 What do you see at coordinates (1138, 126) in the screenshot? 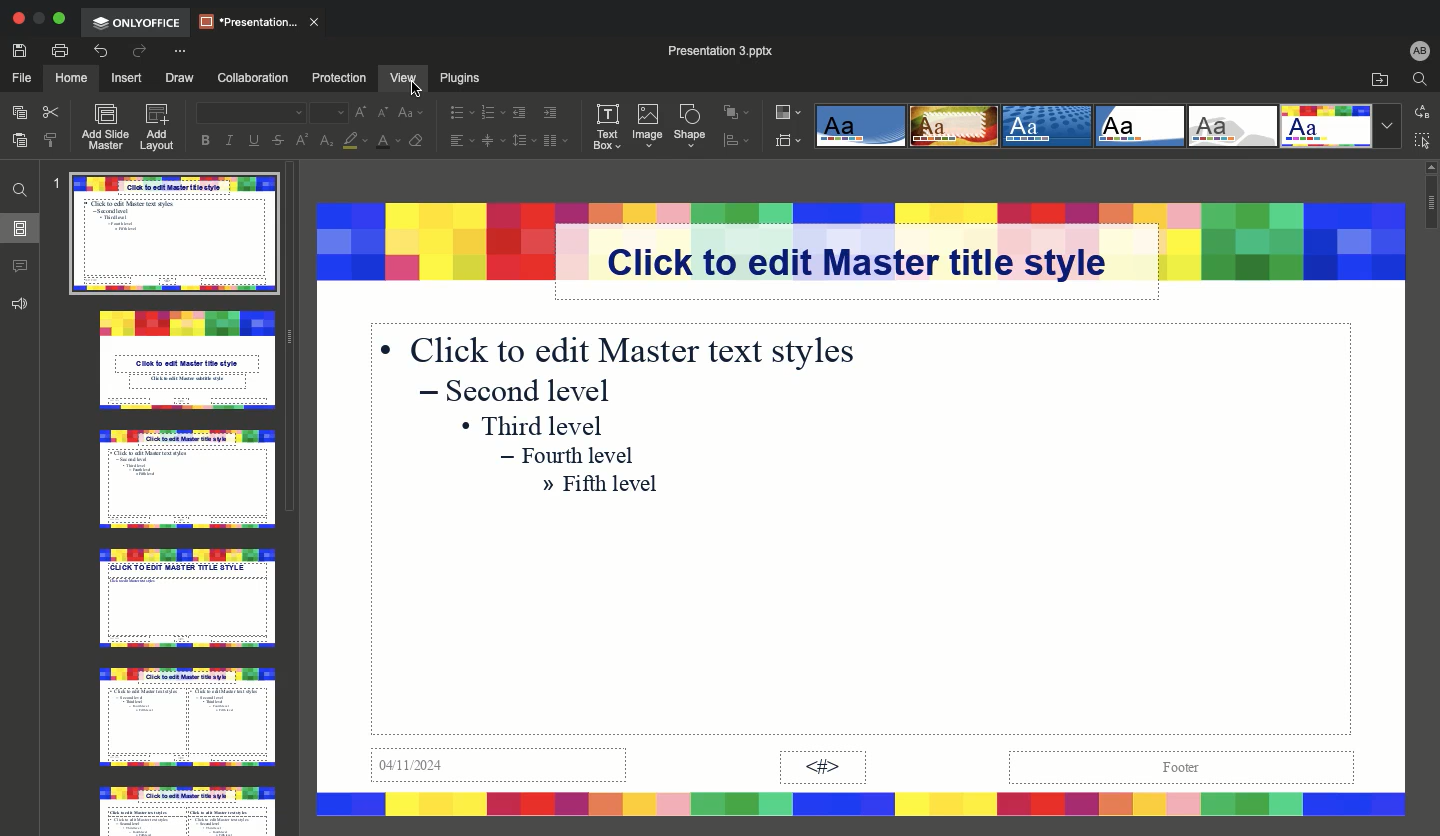
I see `Official style` at bounding box center [1138, 126].